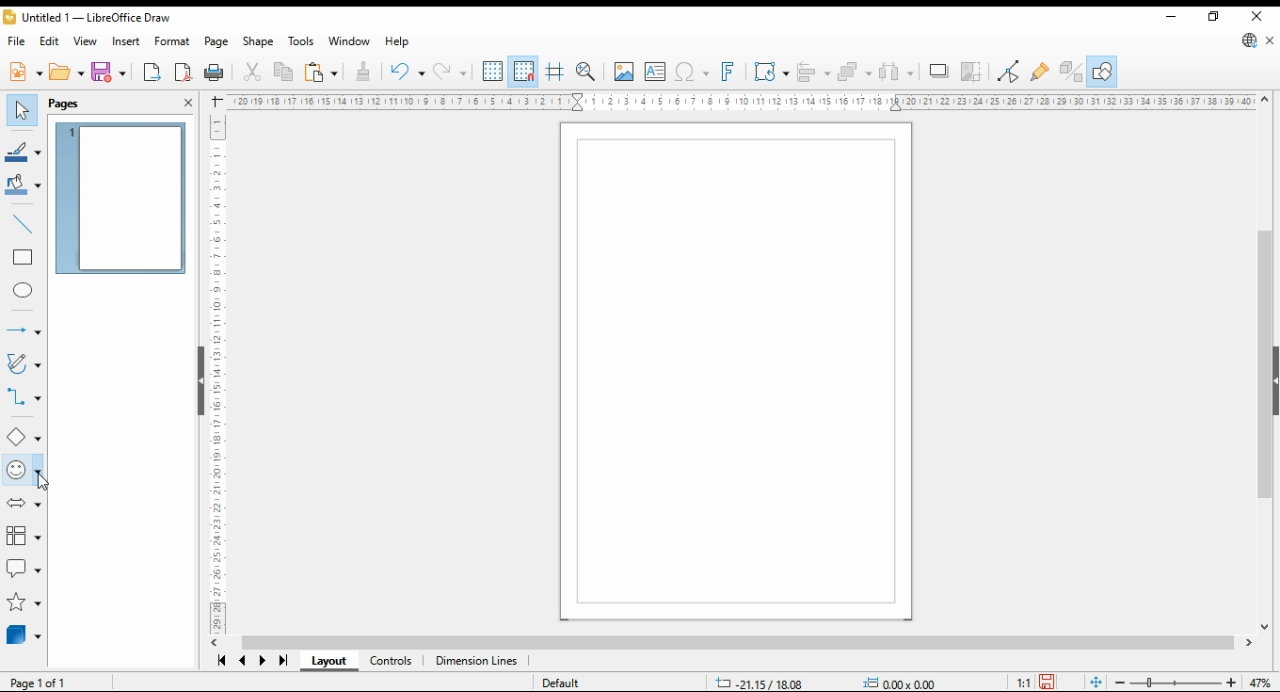  Describe the element at coordinates (975, 72) in the screenshot. I see `crop` at that location.